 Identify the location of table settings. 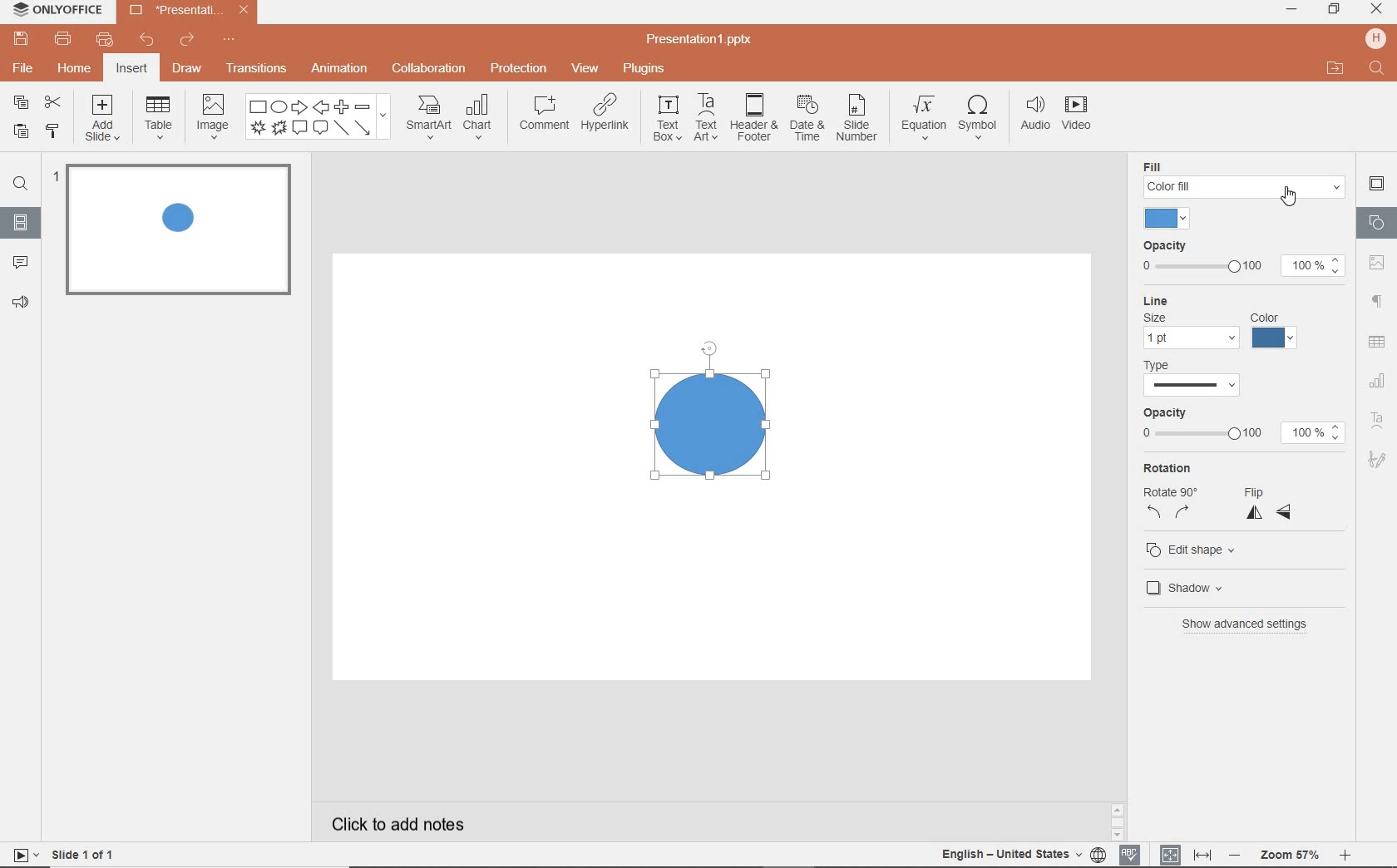
(1379, 341).